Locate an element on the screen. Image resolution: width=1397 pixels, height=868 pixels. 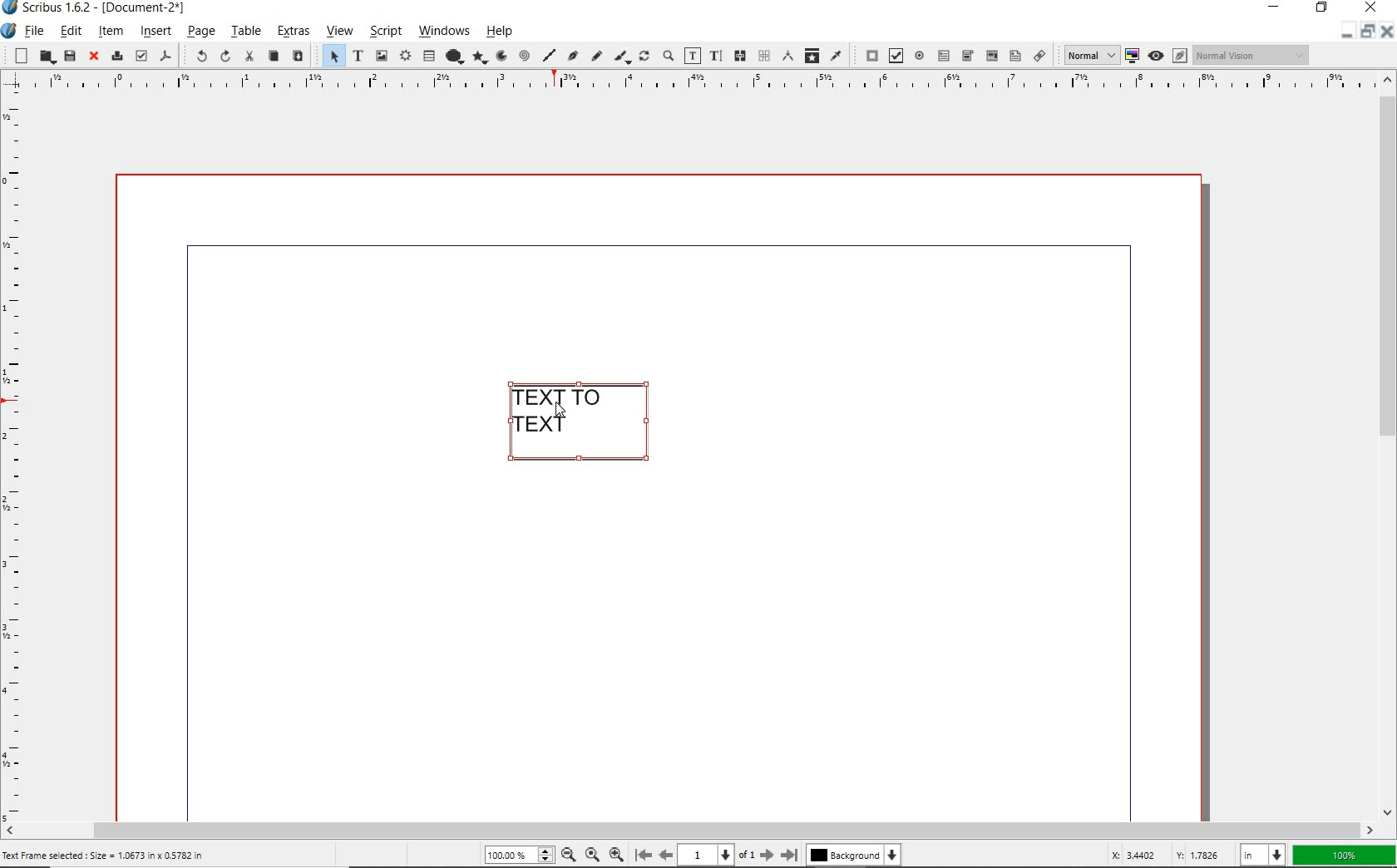
view is located at coordinates (340, 32).